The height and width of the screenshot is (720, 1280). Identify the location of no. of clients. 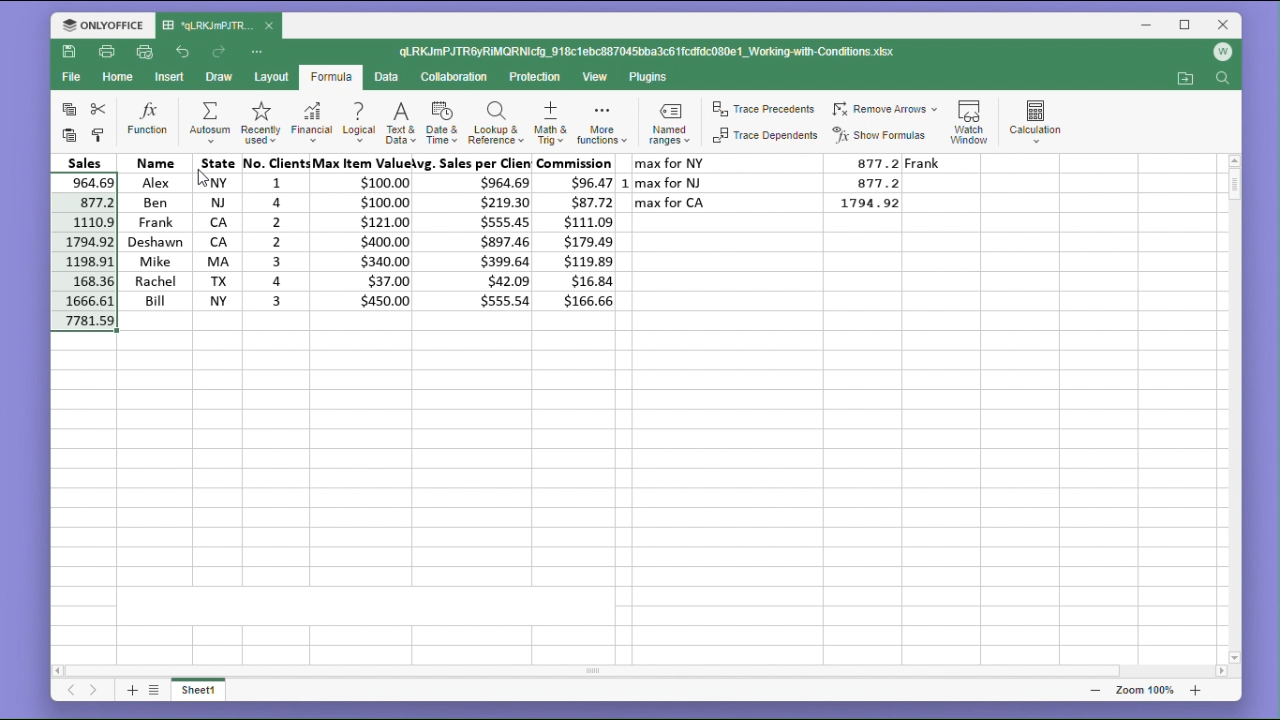
(273, 233).